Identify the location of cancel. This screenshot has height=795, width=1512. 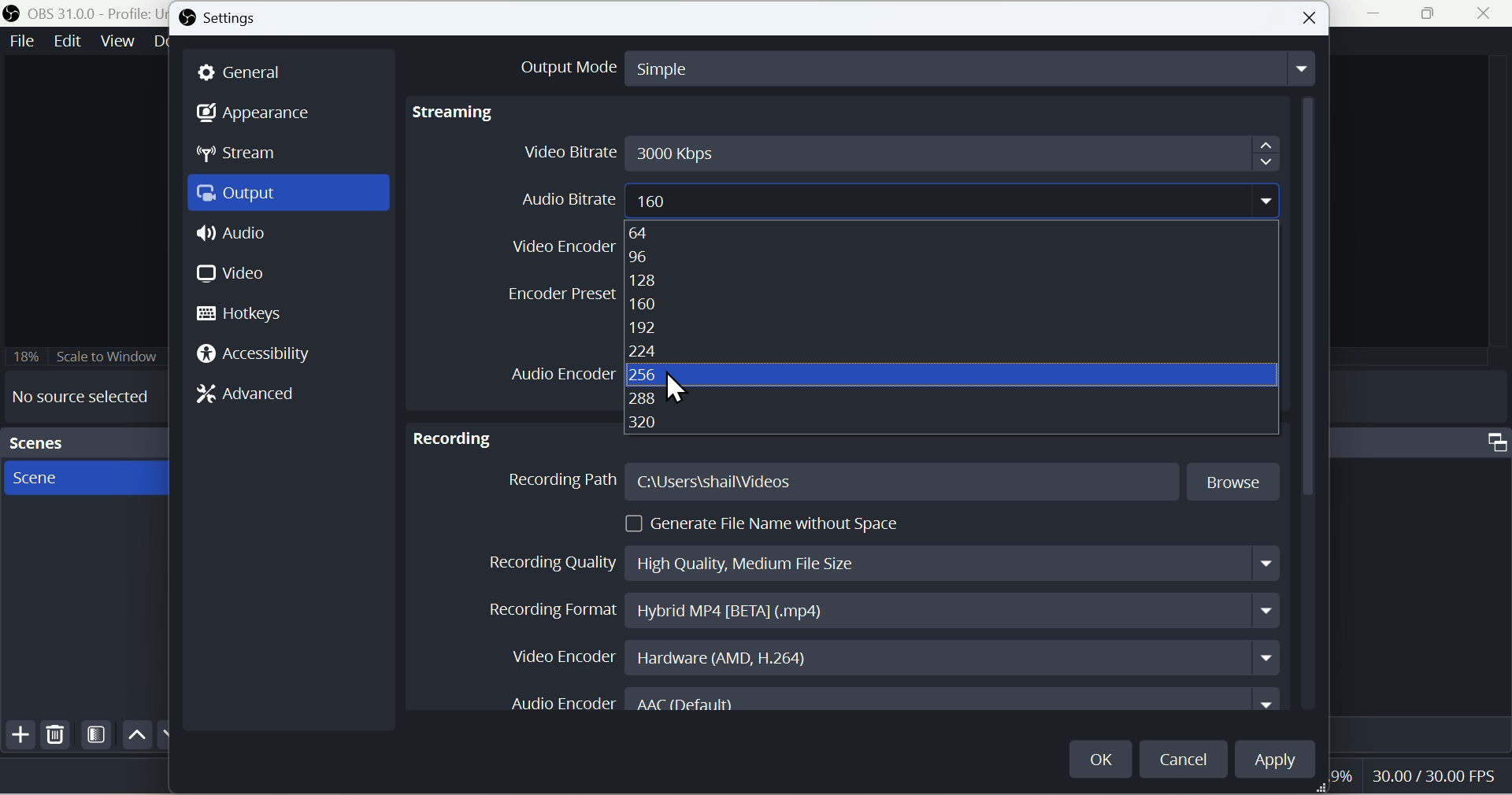
(1186, 758).